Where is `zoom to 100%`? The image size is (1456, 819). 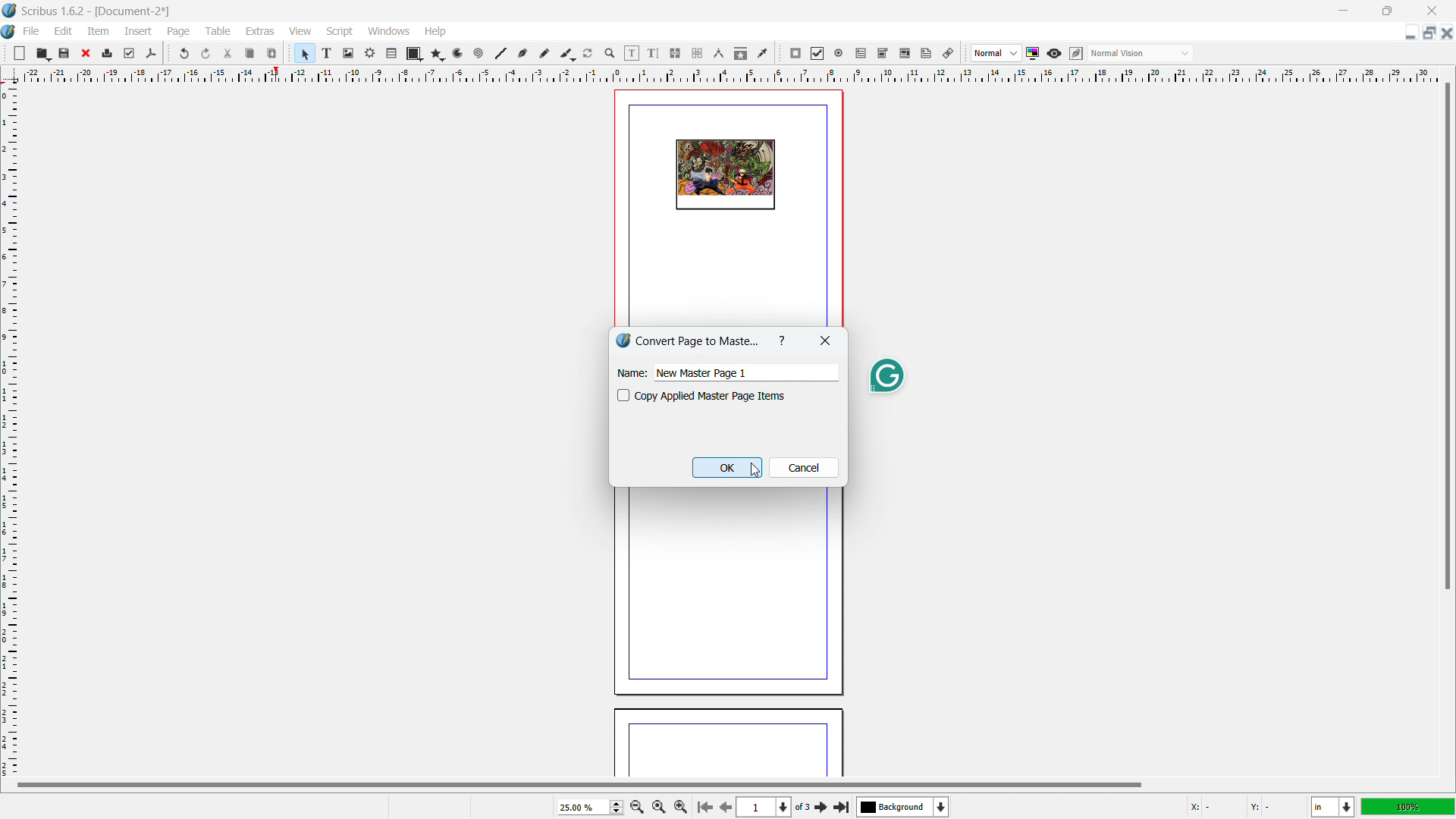
zoom to 100% is located at coordinates (658, 805).